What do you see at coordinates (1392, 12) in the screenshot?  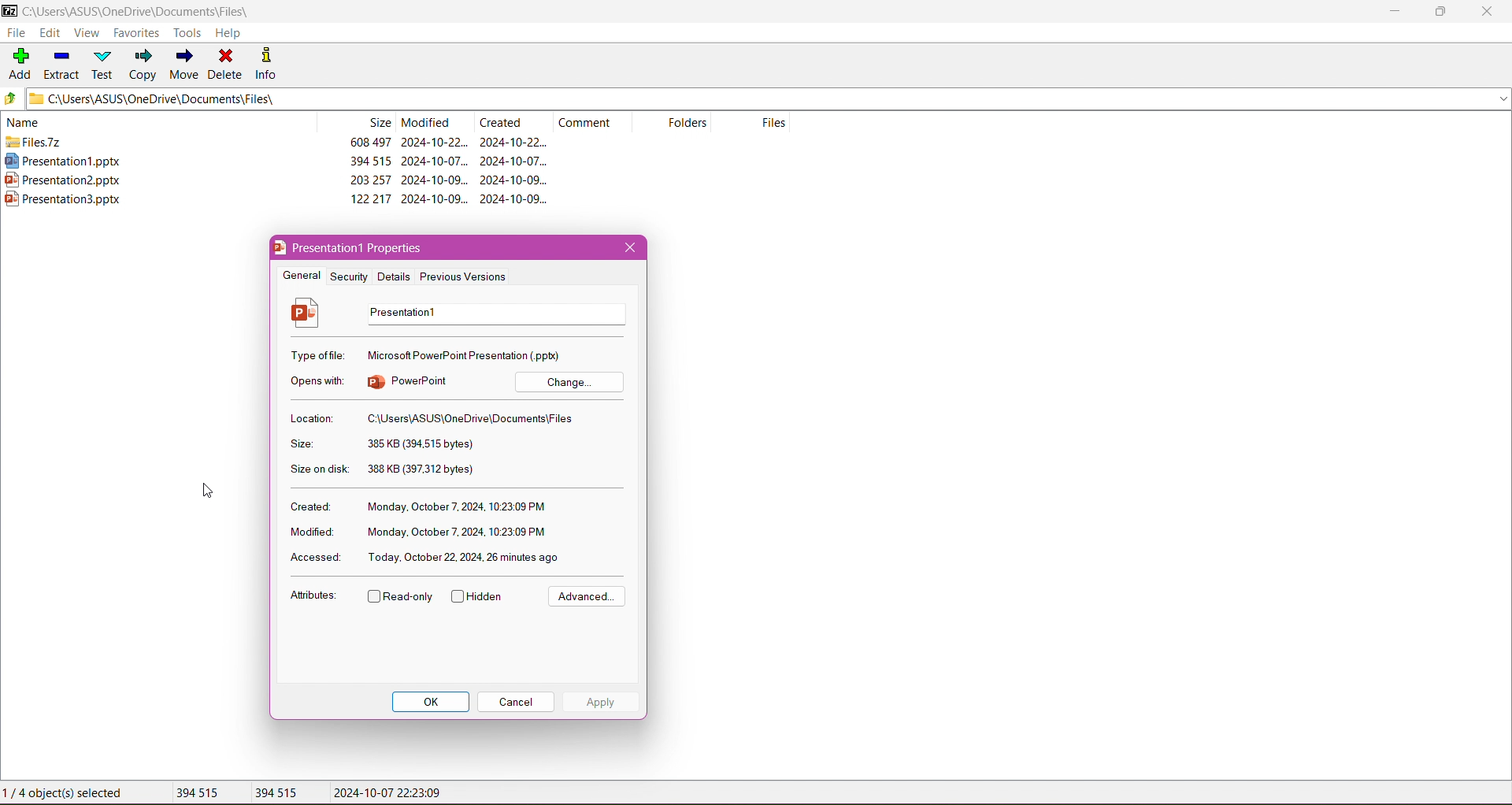 I see `Minimize` at bounding box center [1392, 12].